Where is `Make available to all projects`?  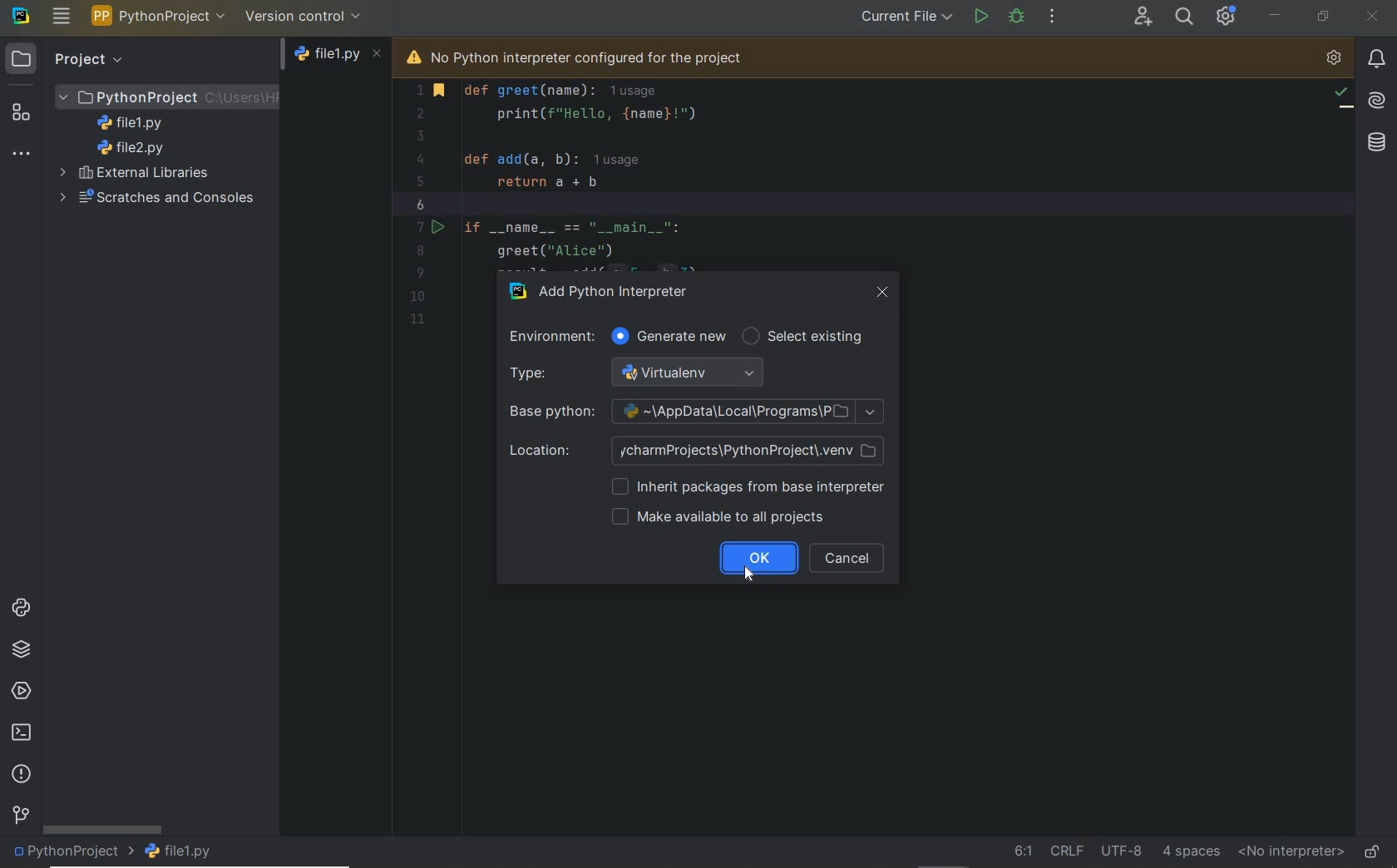
Make available to all projects is located at coordinates (722, 519).